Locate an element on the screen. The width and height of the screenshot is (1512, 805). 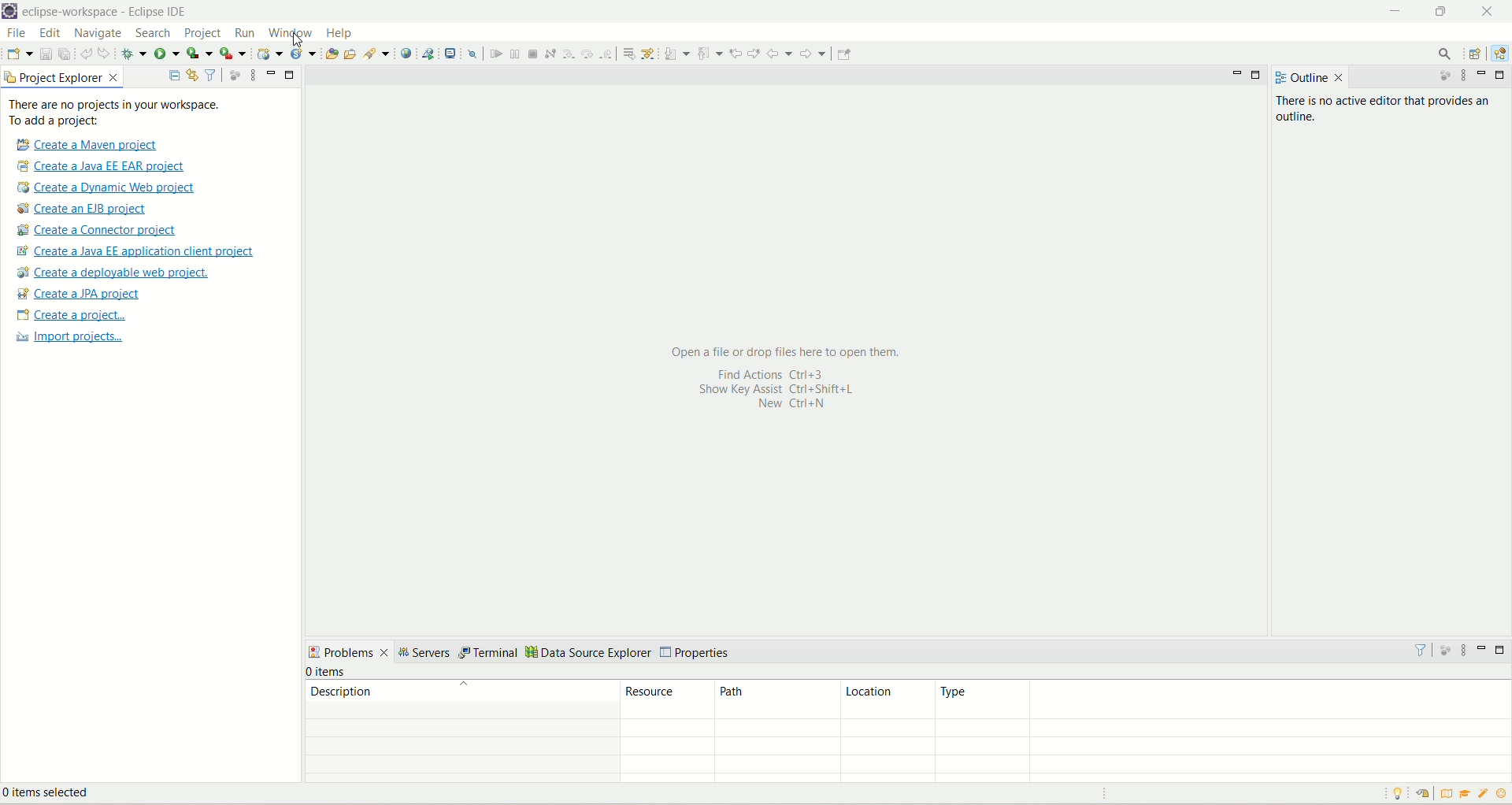
what's new is located at coordinates (1484, 796).